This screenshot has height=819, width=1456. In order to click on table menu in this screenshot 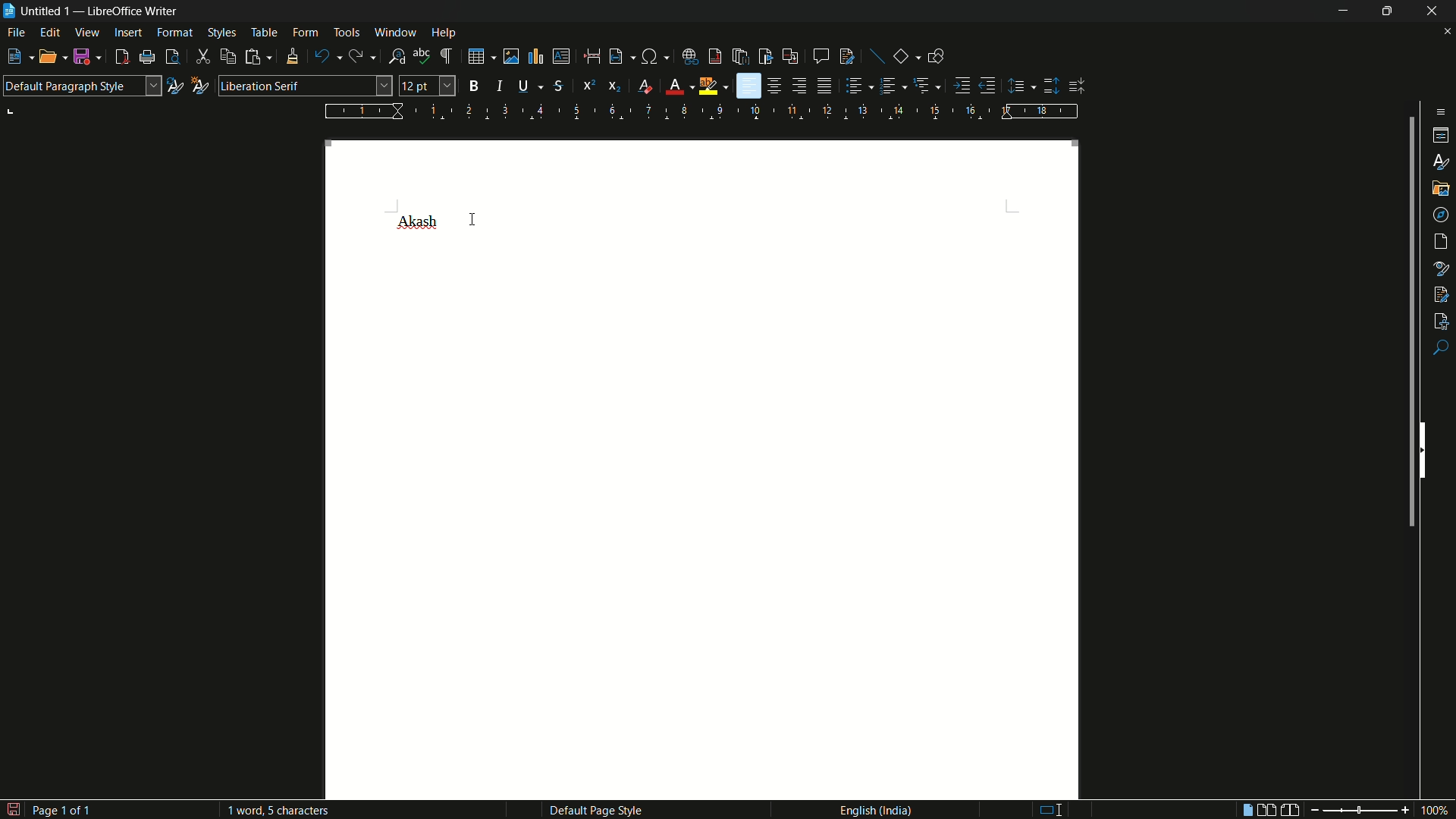, I will do `click(264, 33)`.